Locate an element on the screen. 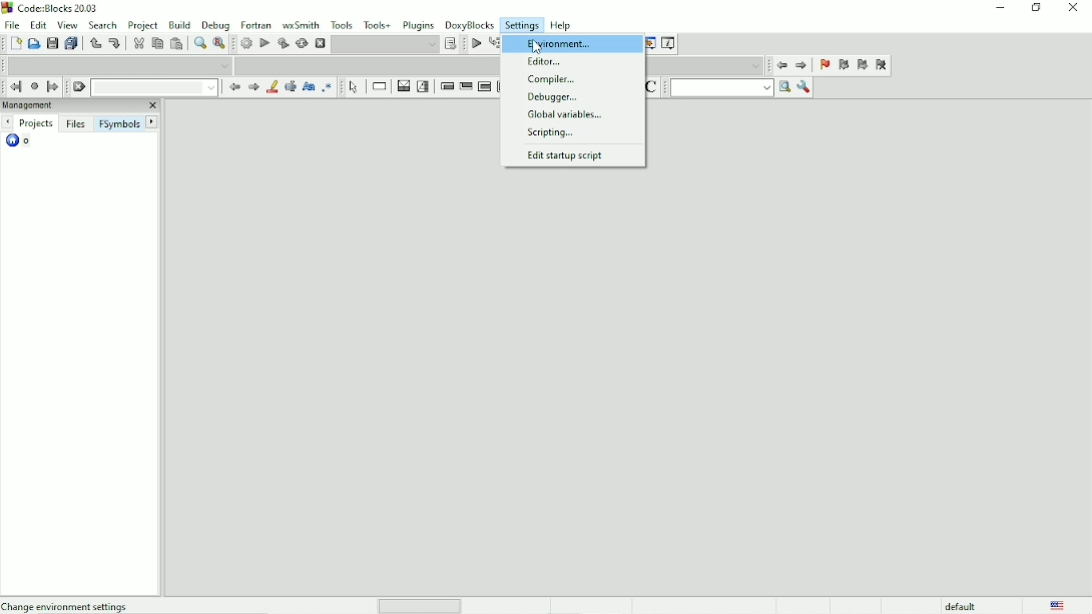 Image resolution: width=1092 pixels, height=614 pixels. Undo is located at coordinates (93, 43).